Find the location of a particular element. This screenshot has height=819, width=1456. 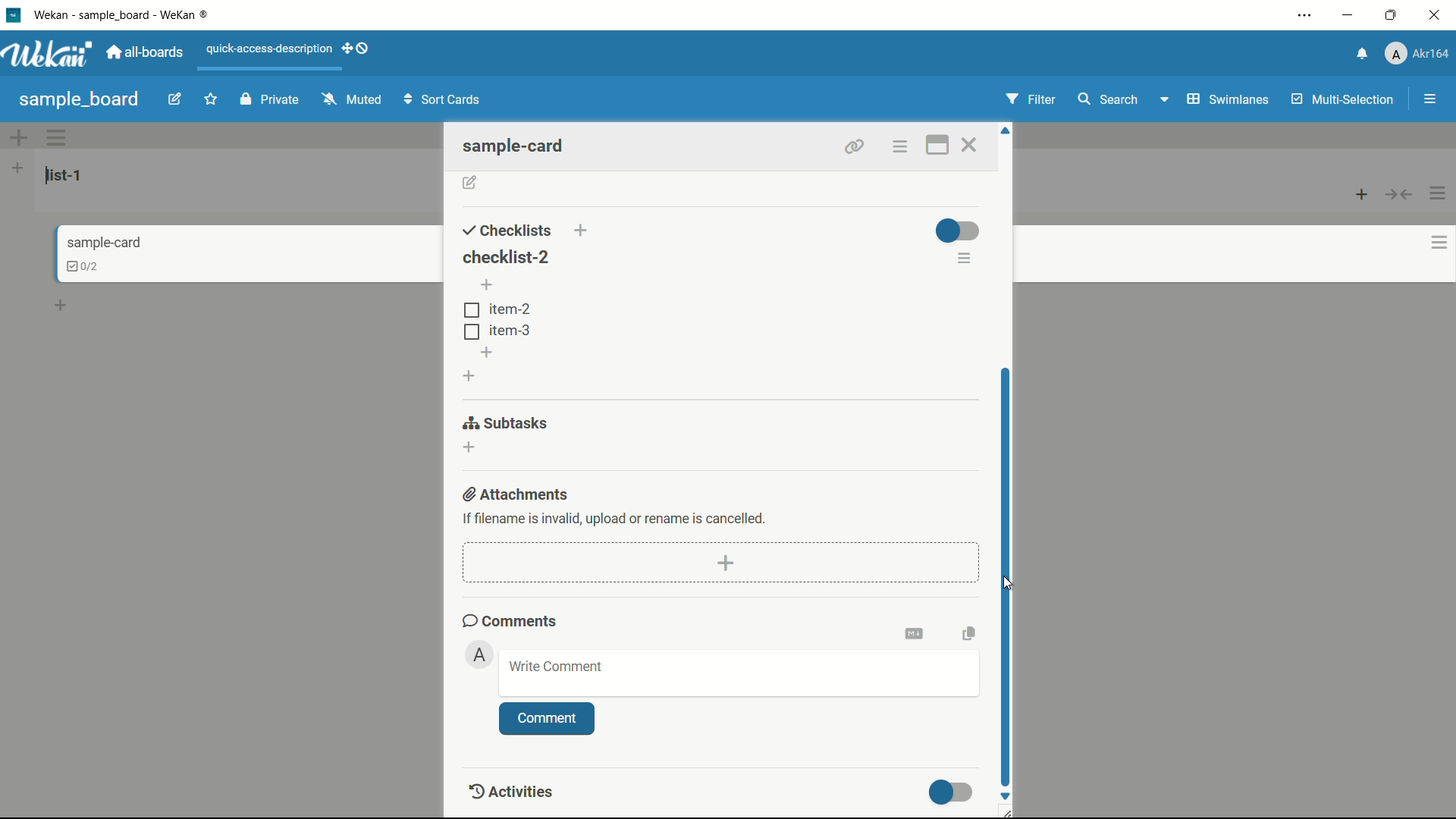

all boards is located at coordinates (149, 52).